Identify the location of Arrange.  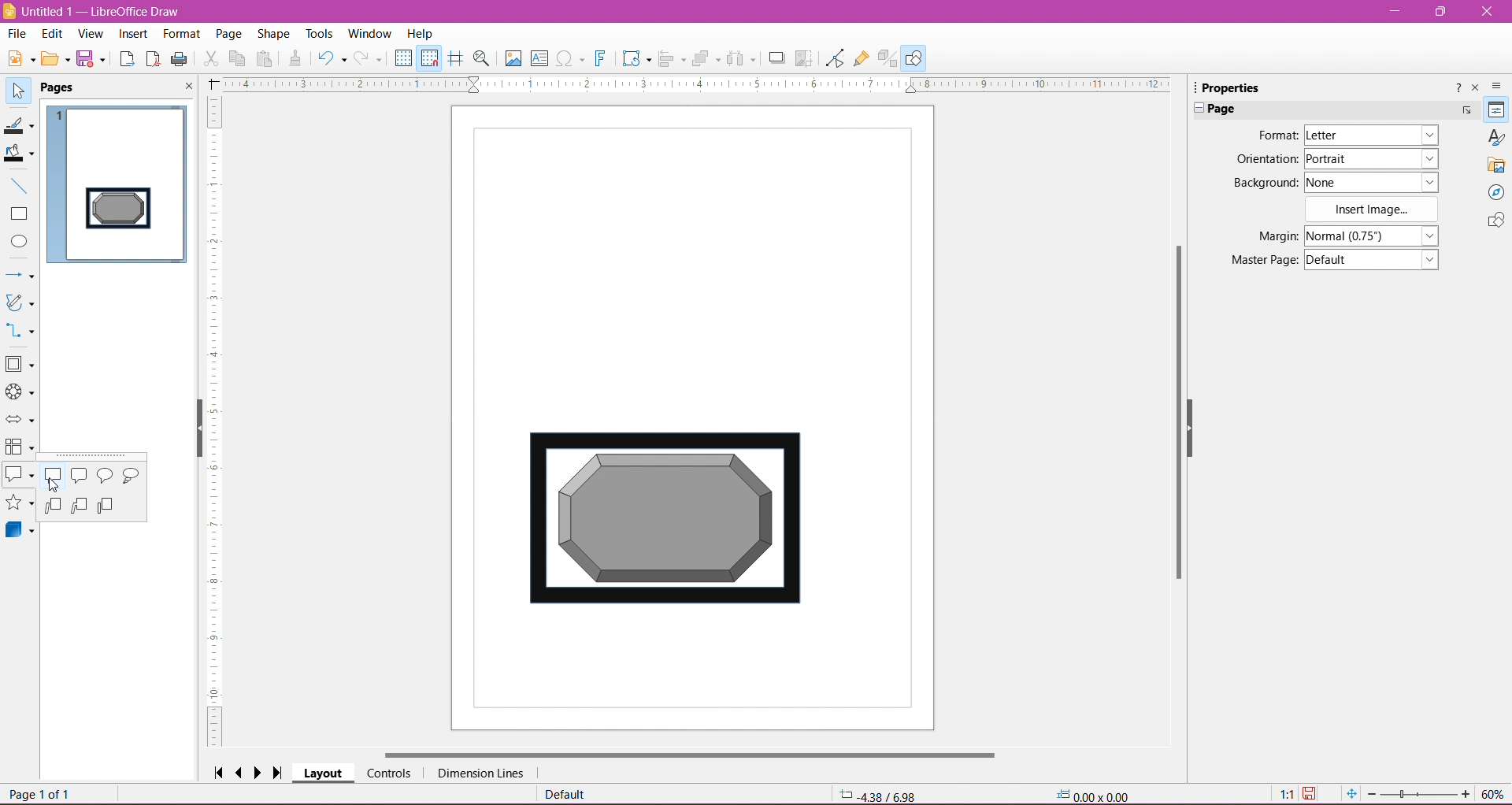
(706, 57).